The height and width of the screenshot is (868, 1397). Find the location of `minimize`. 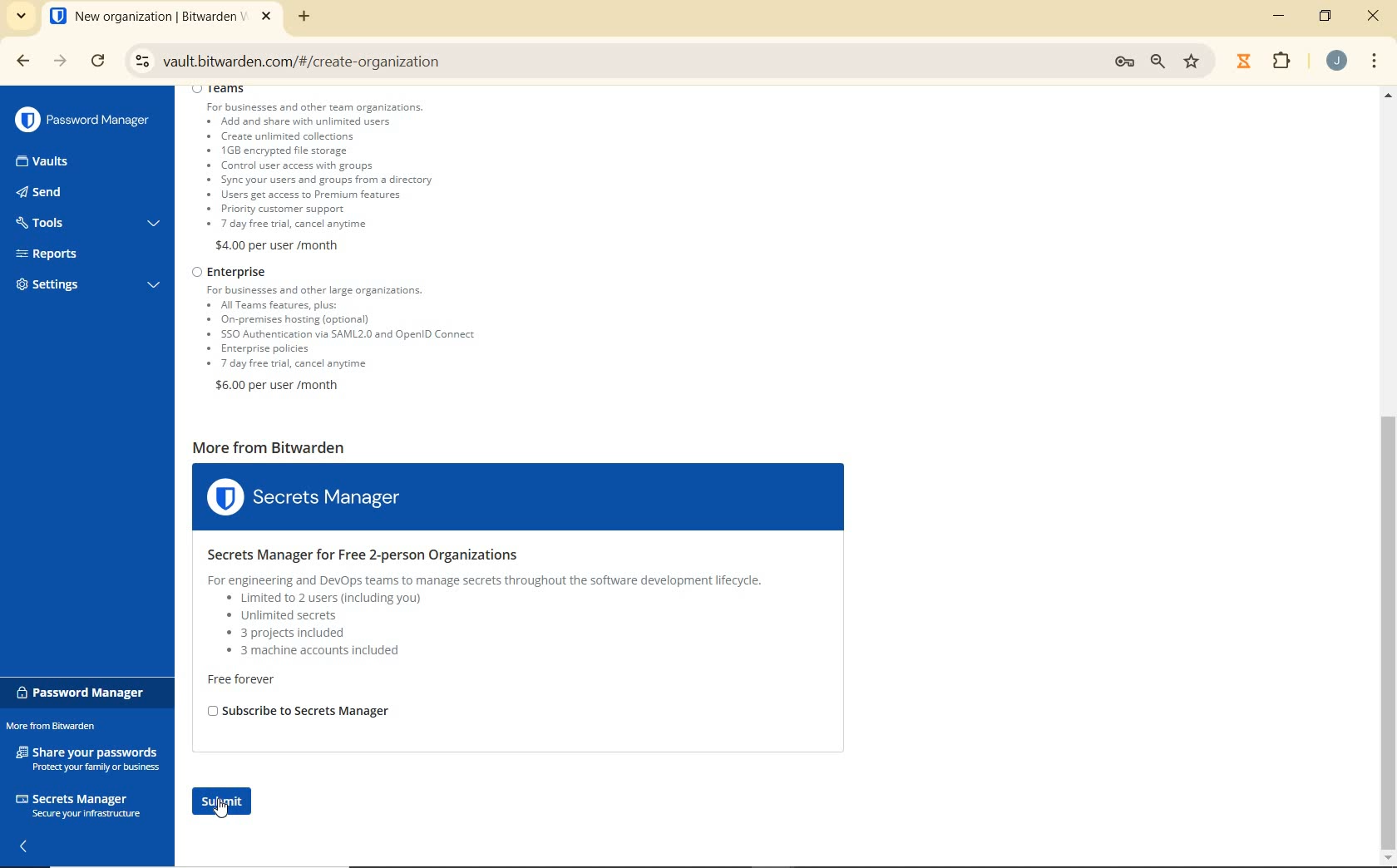

minimize is located at coordinates (1281, 16).